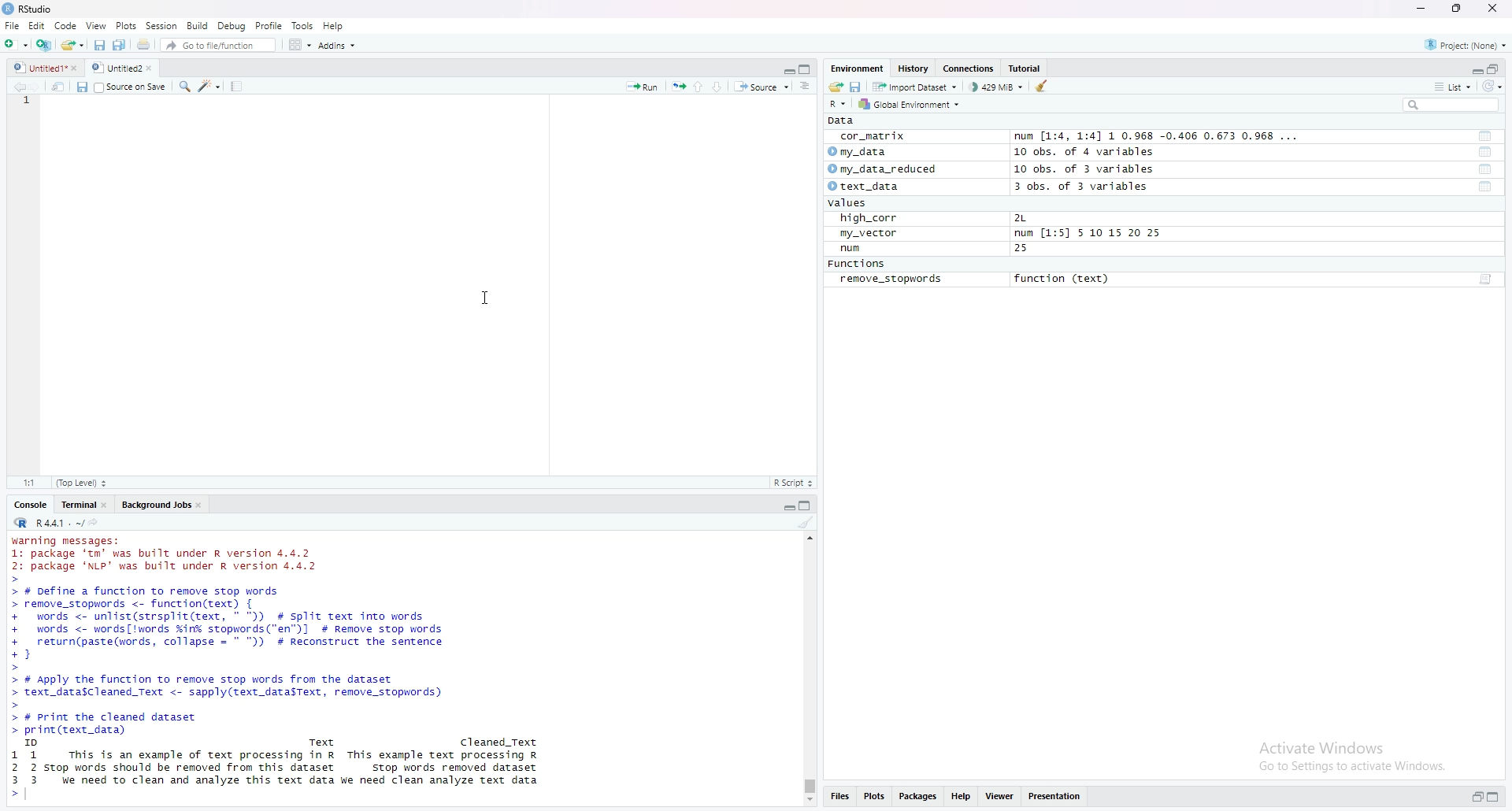 The height and width of the screenshot is (811, 1512). What do you see at coordinates (784, 507) in the screenshot?
I see `minimize` at bounding box center [784, 507].